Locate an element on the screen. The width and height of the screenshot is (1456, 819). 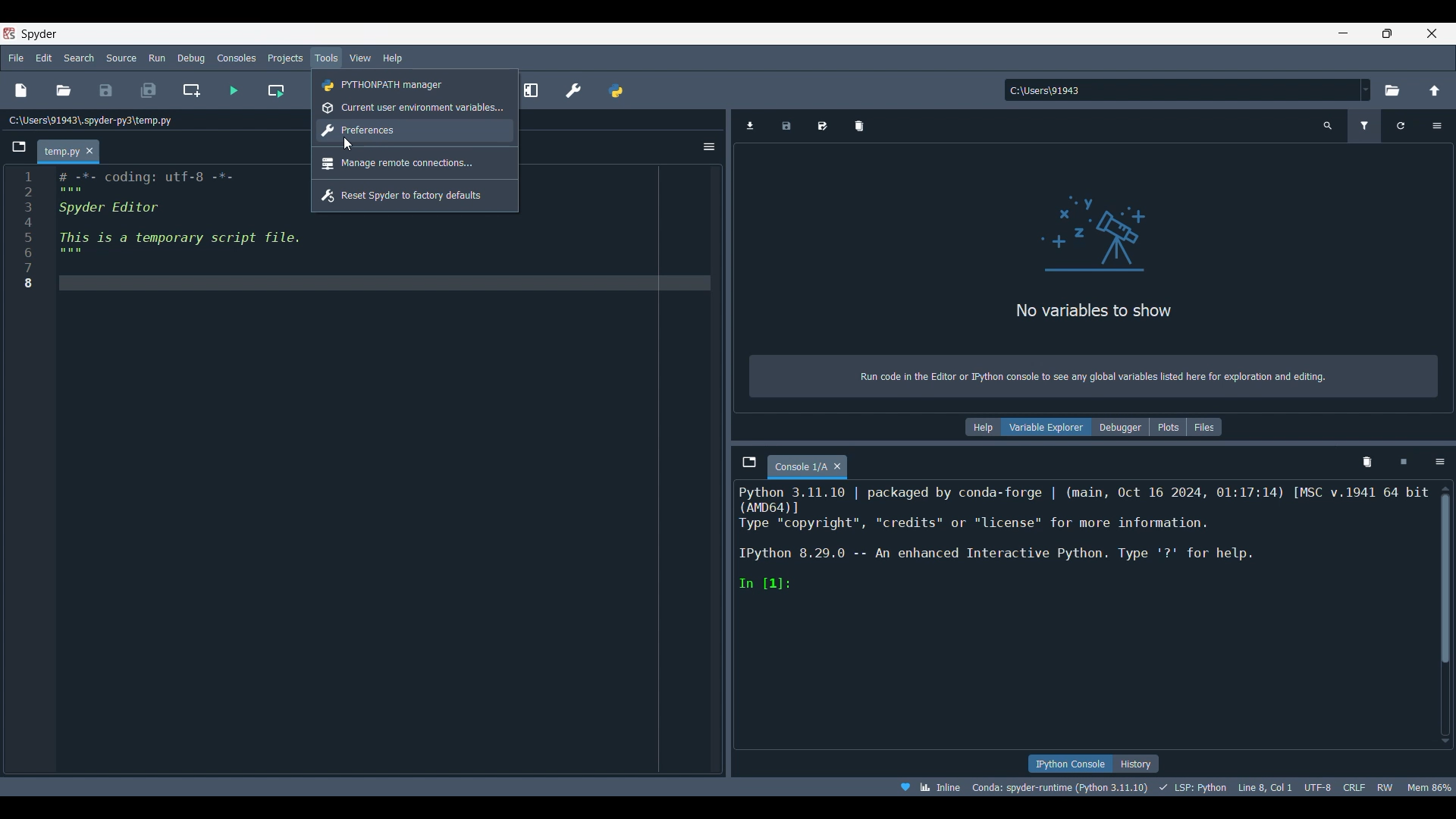
Preferences is located at coordinates (574, 90).